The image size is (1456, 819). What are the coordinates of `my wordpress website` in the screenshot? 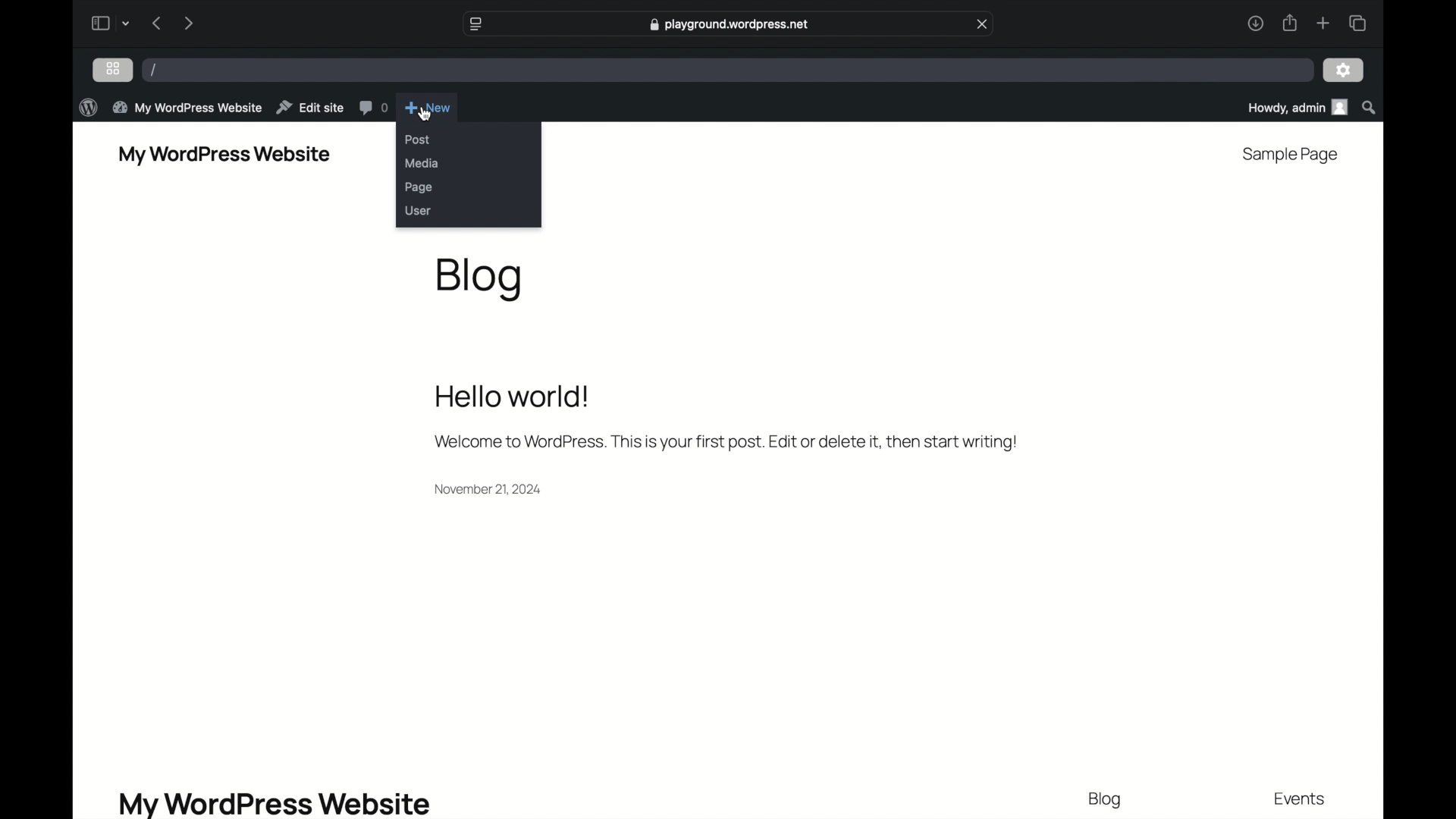 It's located at (273, 802).